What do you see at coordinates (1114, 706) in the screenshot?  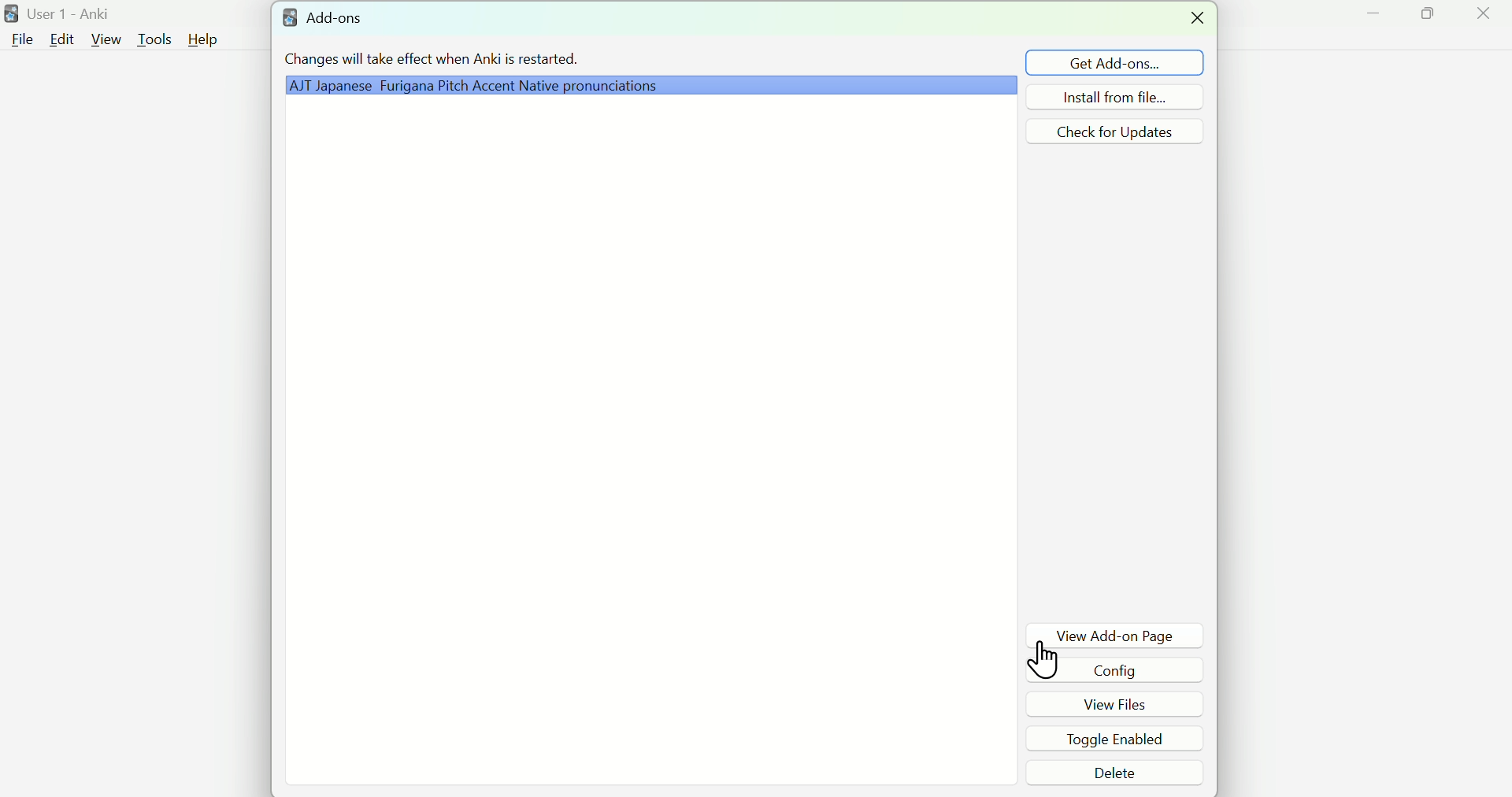 I see `View Files` at bounding box center [1114, 706].